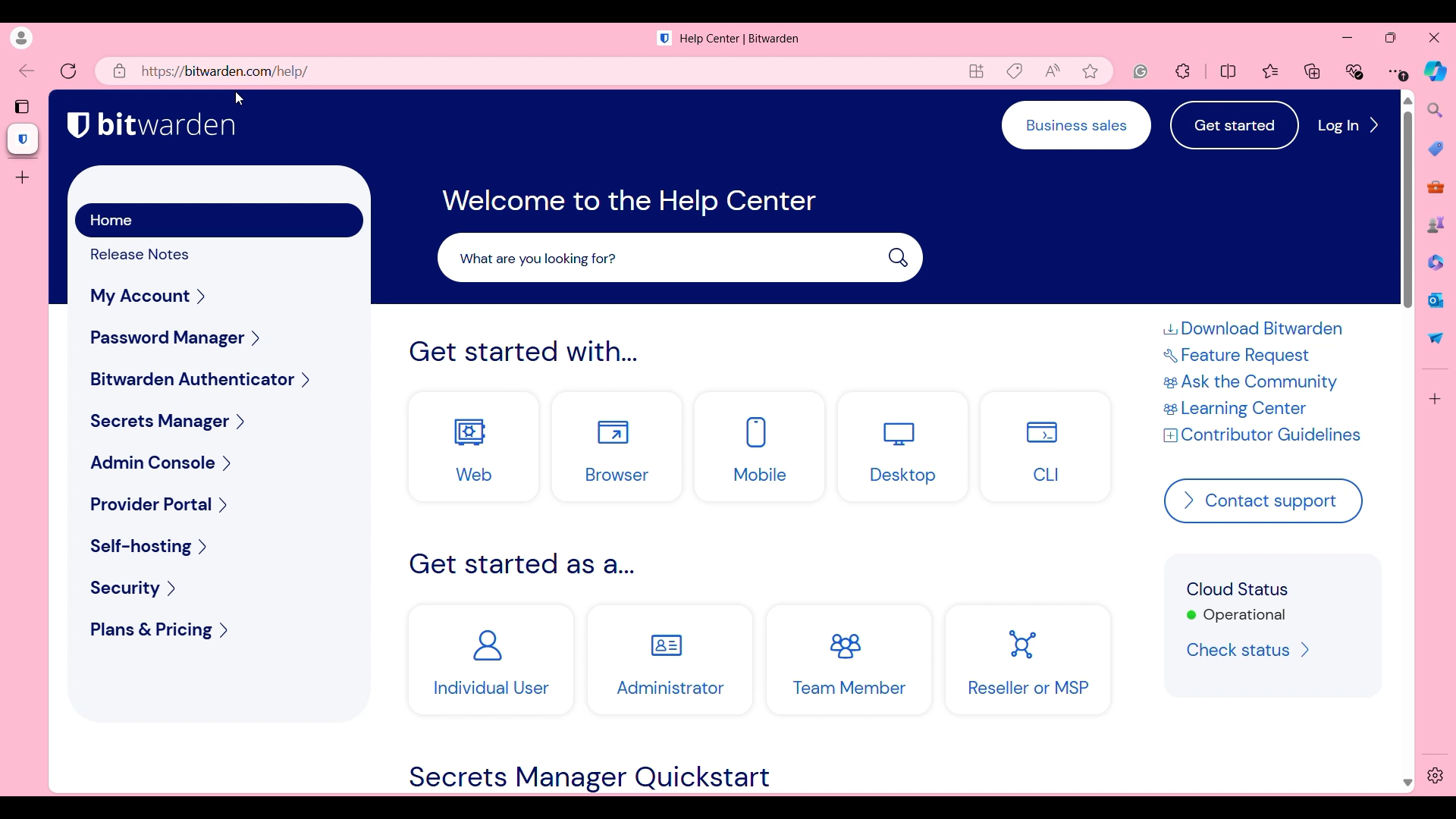 The height and width of the screenshot is (819, 1456). I want to click on Bitwarden authenticator, so click(220, 379).